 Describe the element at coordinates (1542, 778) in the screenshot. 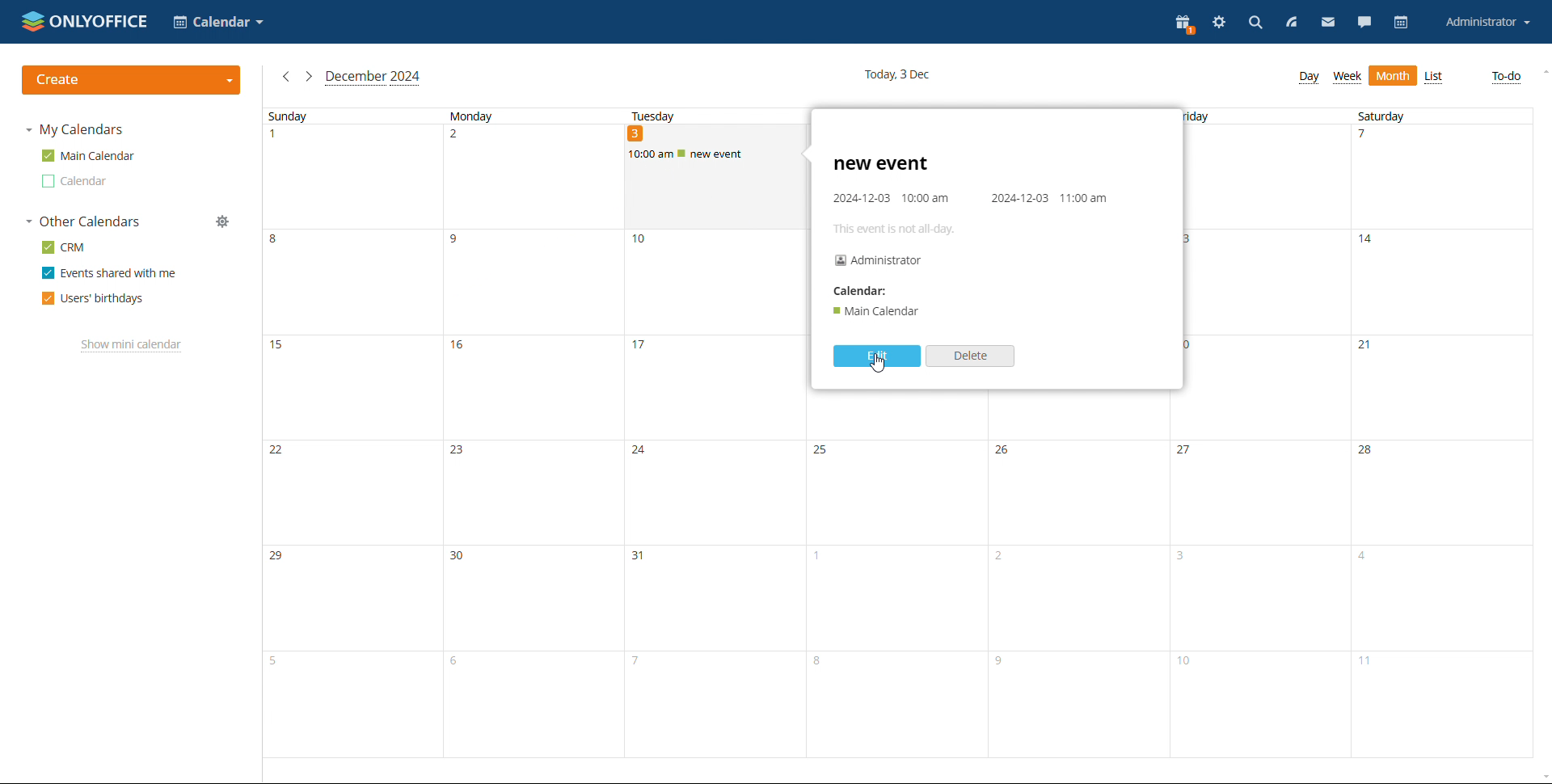

I see `scroll down` at that location.